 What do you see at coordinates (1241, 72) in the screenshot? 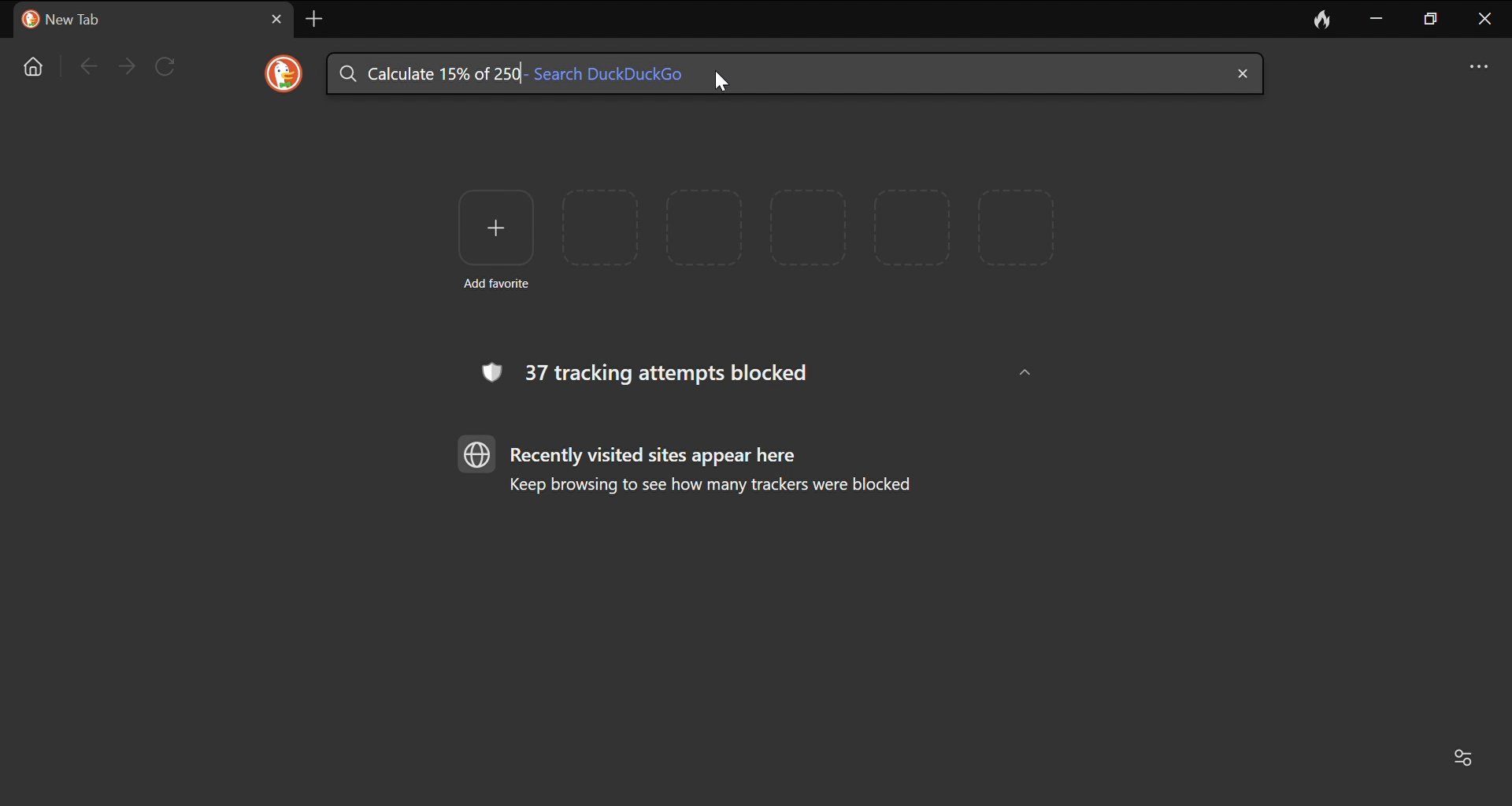
I see `close` at bounding box center [1241, 72].